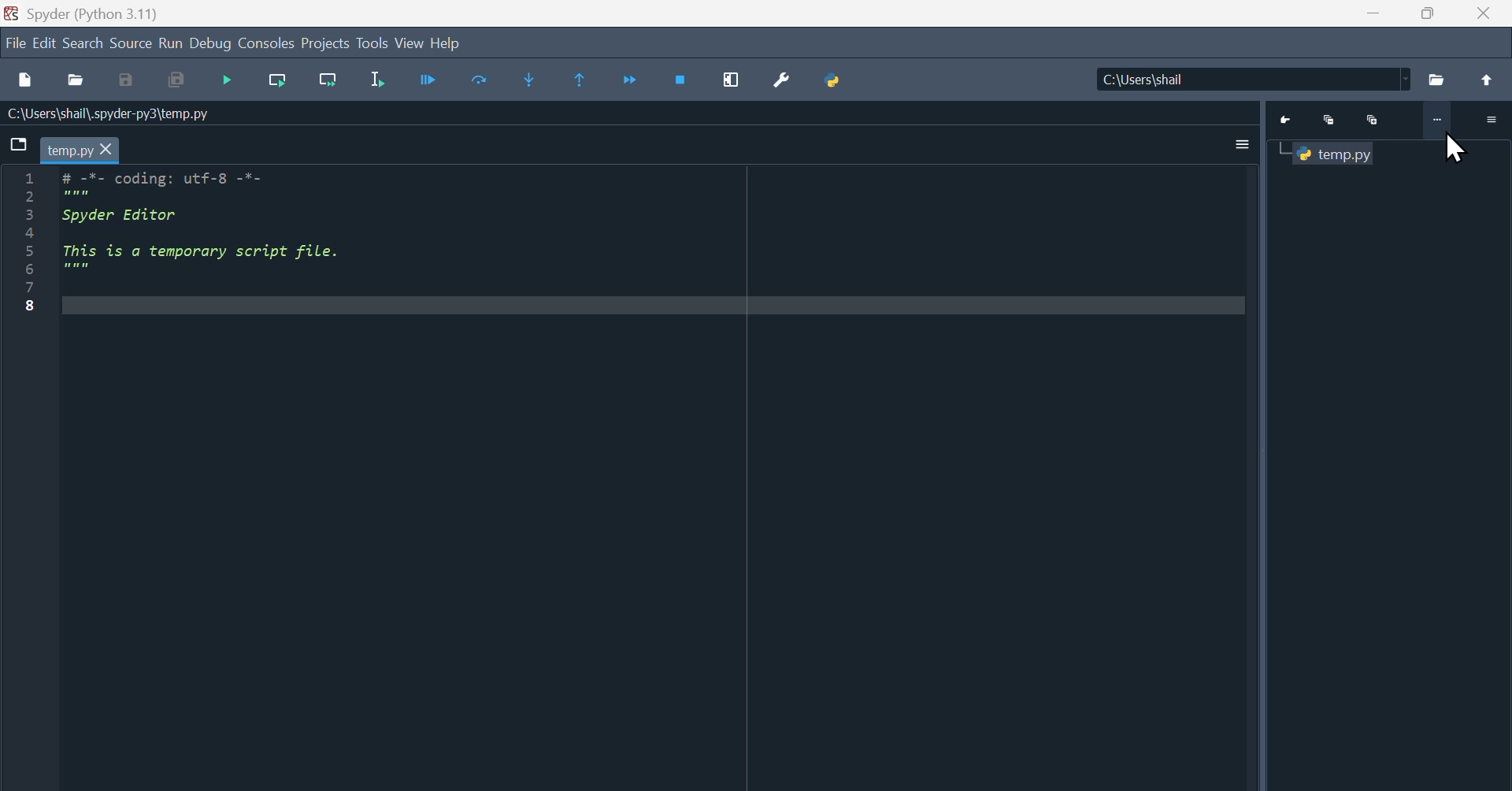 The image size is (1512, 791). I want to click on open file, so click(76, 80).